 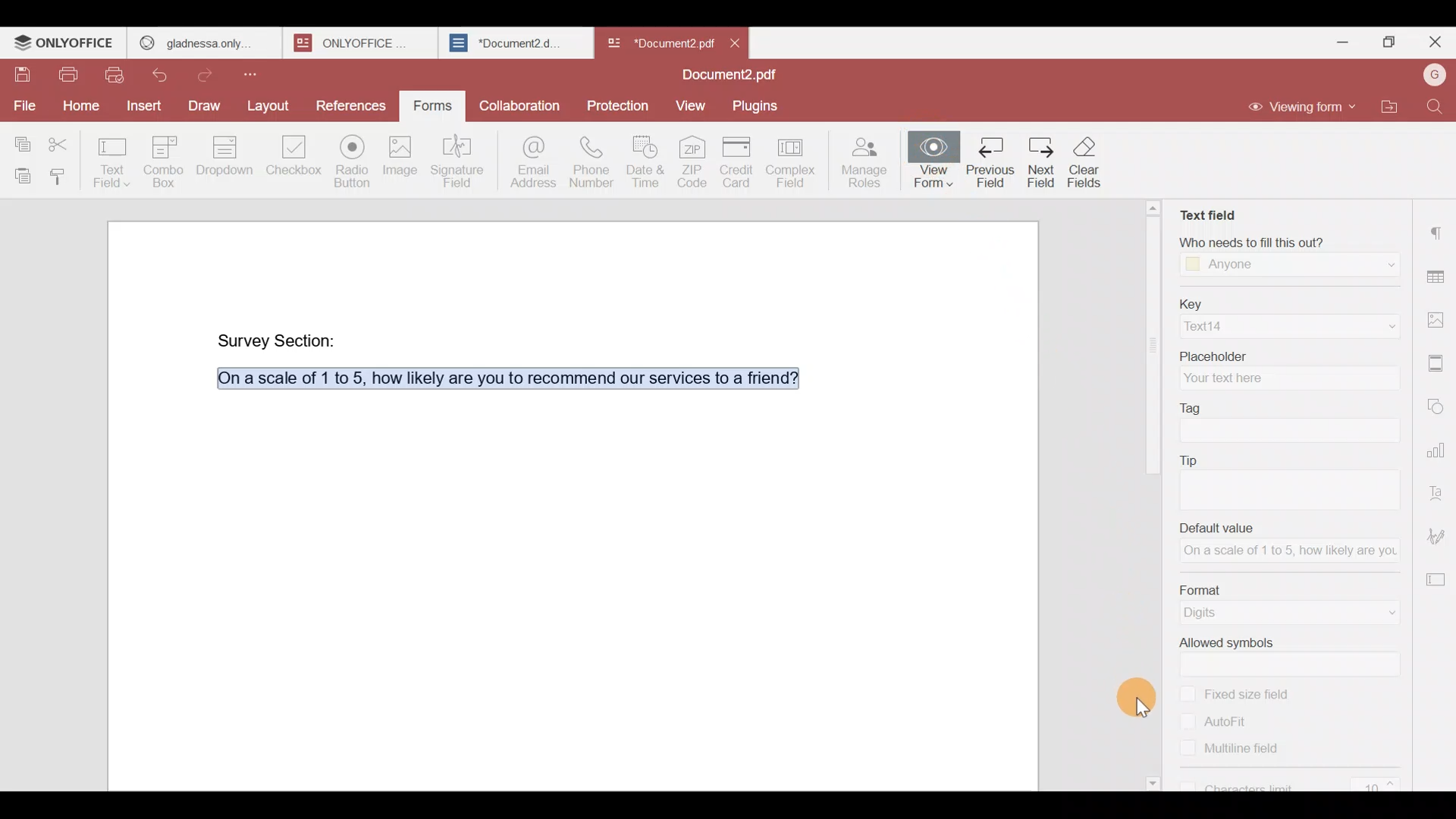 What do you see at coordinates (280, 340) in the screenshot?
I see `Survey Section:` at bounding box center [280, 340].